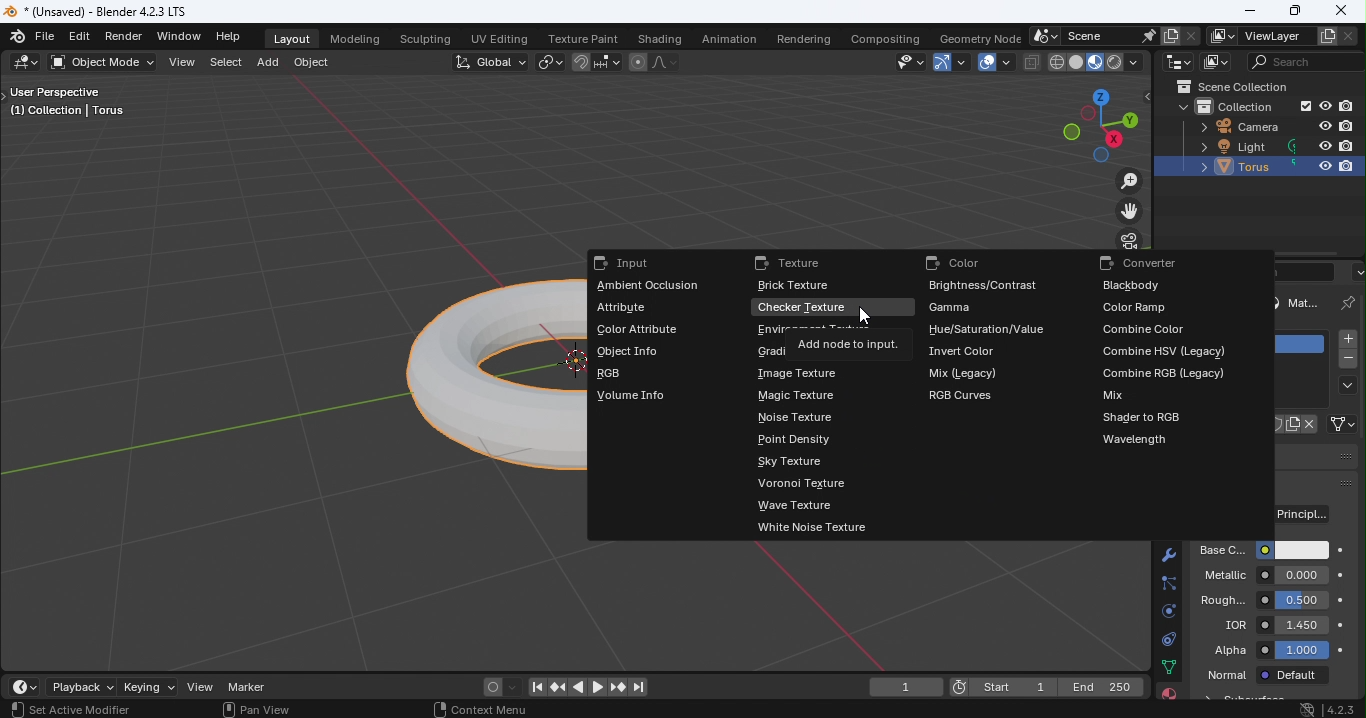 Image resolution: width=1366 pixels, height=718 pixels. Describe the element at coordinates (961, 398) in the screenshot. I see `RGB curves` at that location.